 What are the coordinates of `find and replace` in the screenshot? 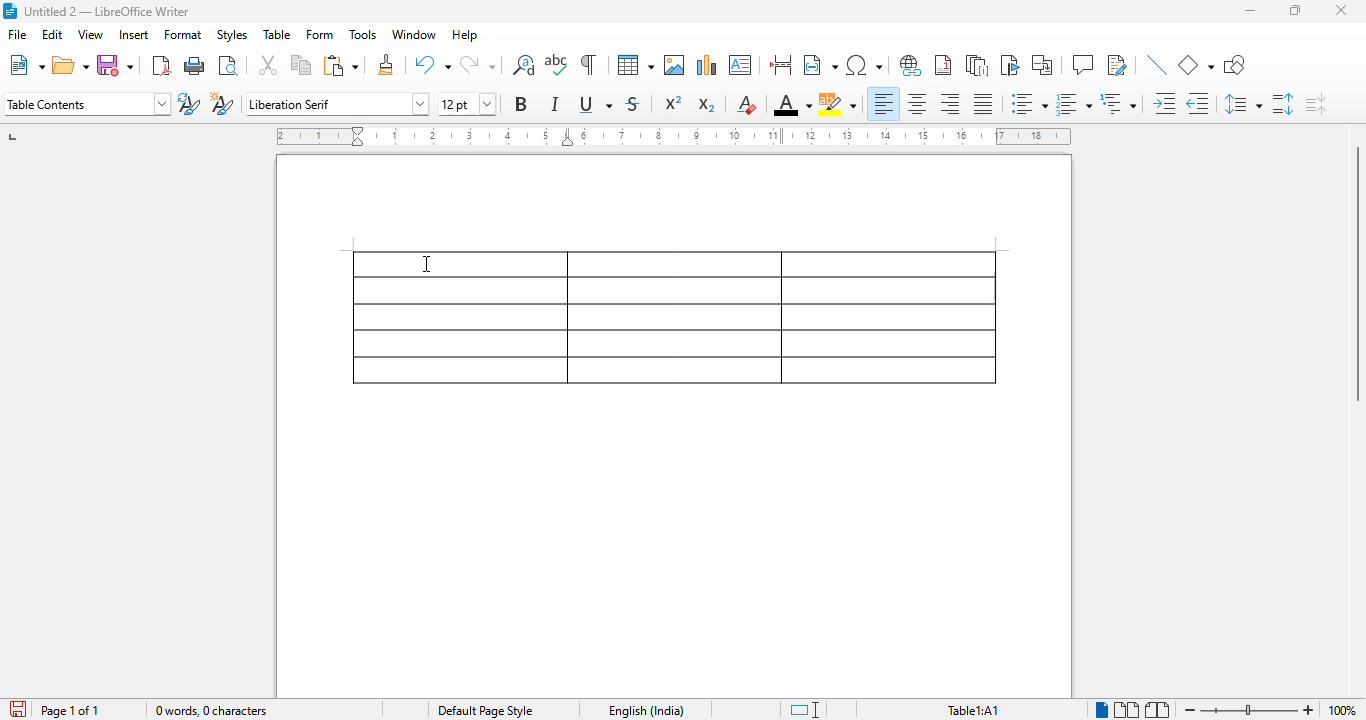 It's located at (523, 65).